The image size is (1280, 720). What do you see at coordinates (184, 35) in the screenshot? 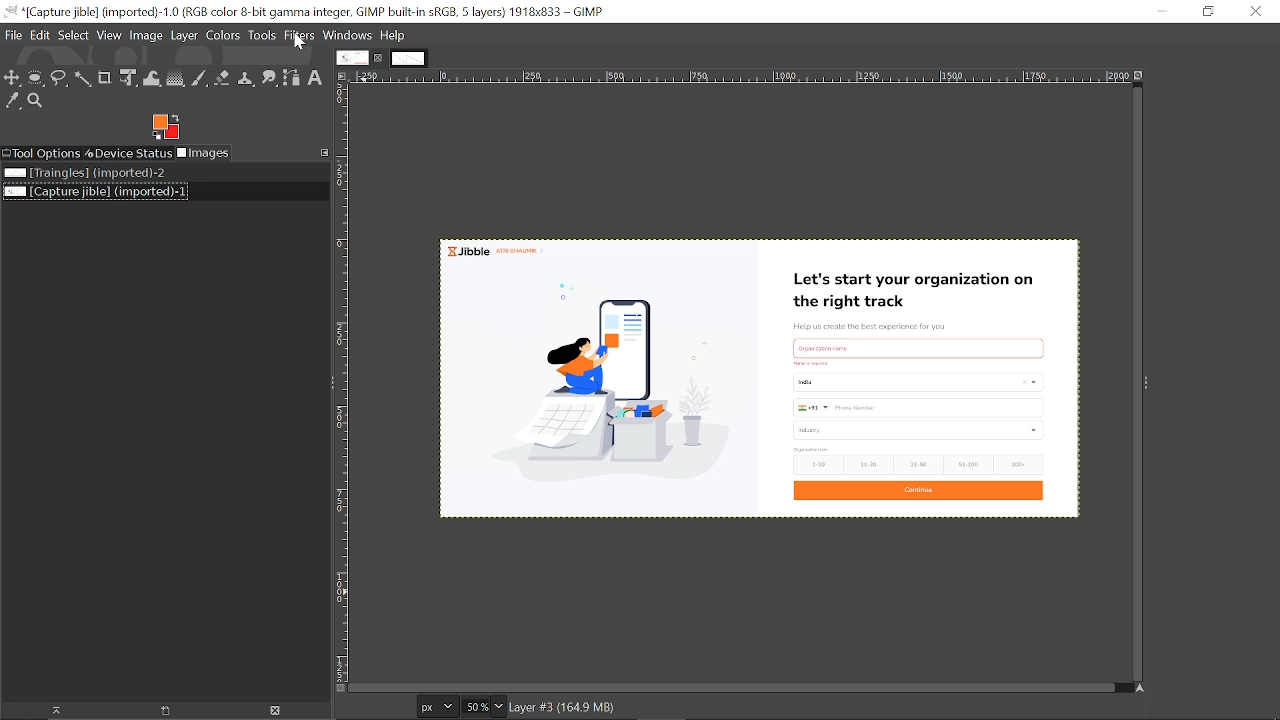
I see `Layer` at bounding box center [184, 35].